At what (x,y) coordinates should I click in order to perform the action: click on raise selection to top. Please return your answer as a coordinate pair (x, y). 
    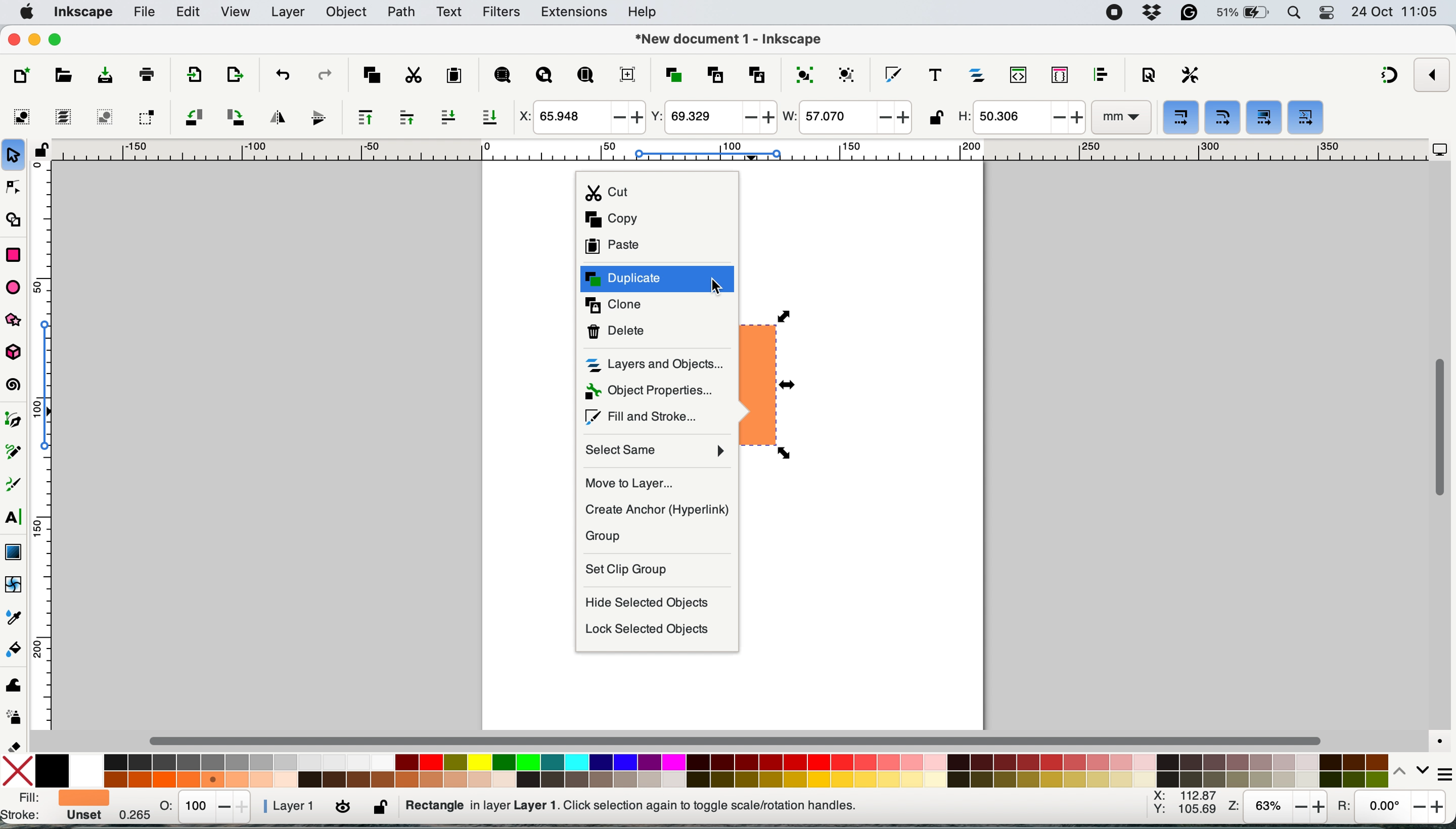
    Looking at the image, I should click on (360, 117).